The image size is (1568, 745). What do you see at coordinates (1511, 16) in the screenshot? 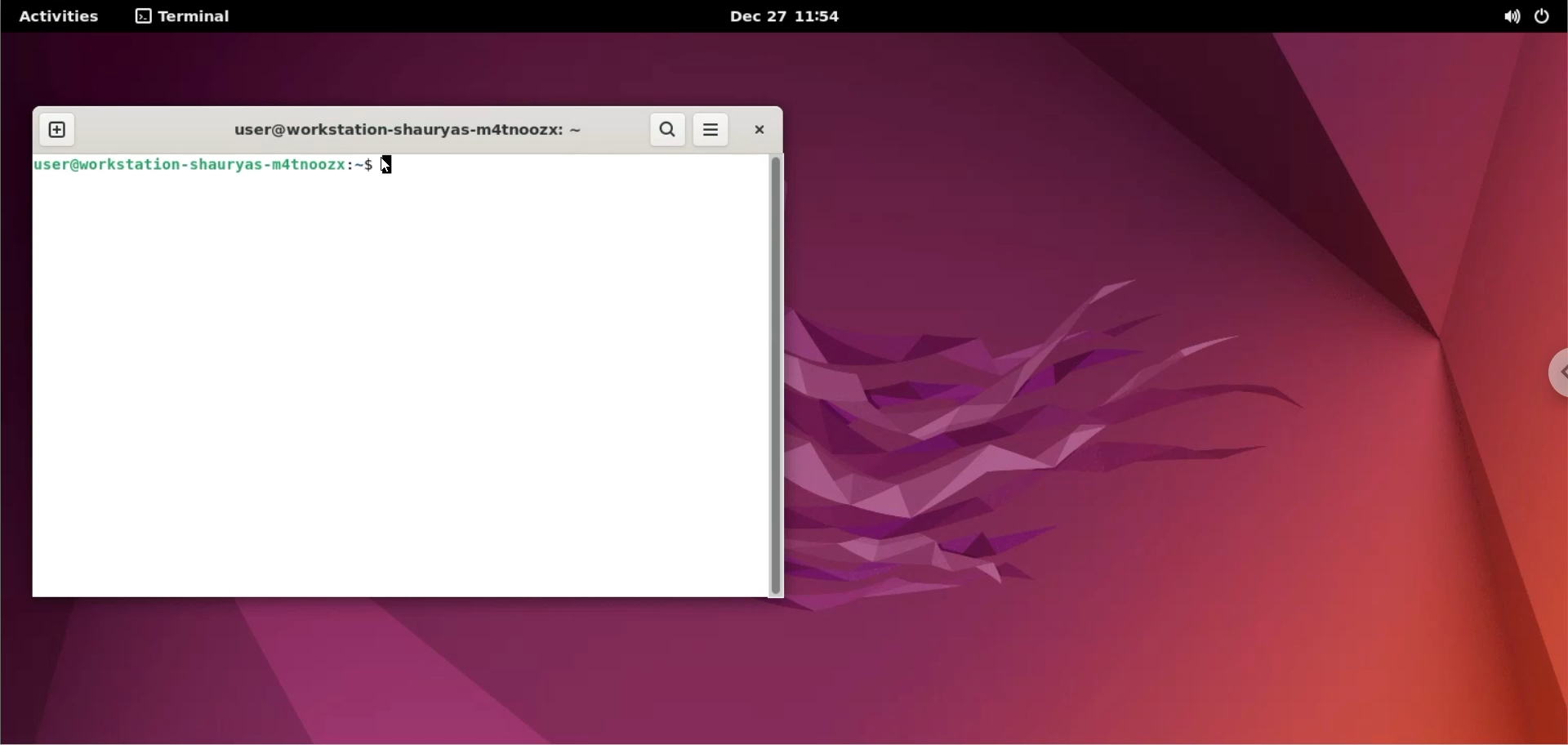
I see `sound options` at bounding box center [1511, 16].